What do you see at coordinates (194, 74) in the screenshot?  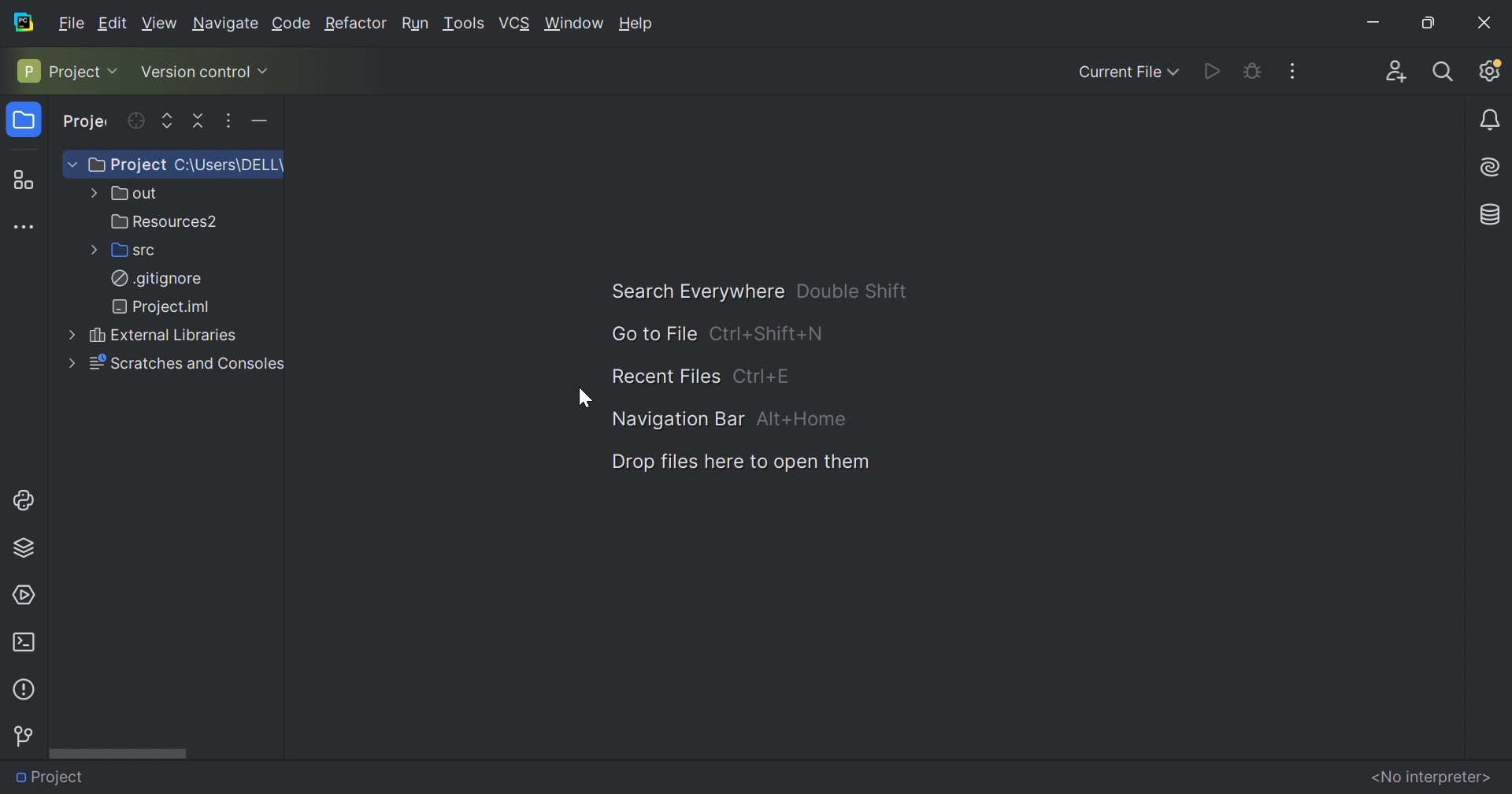 I see `Version control` at bounding box center [194, 74].